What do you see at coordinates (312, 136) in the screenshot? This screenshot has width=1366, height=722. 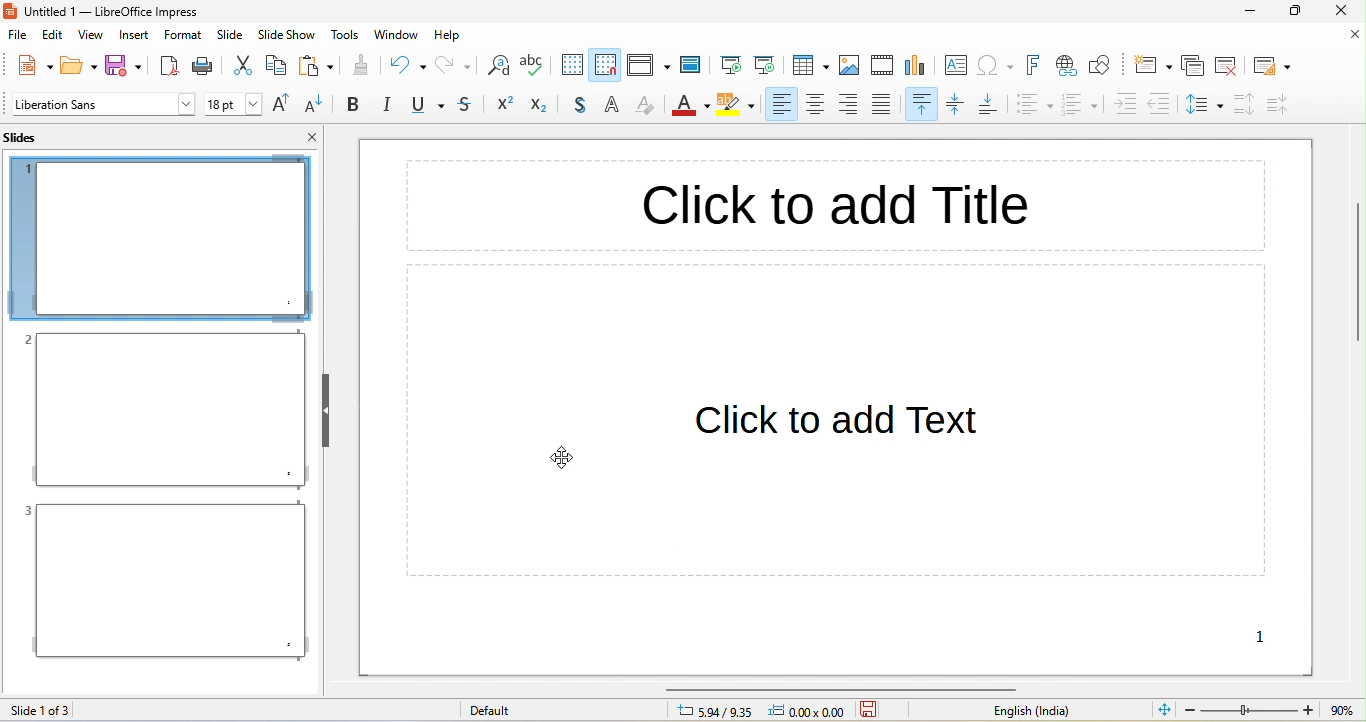 I see `close` at bounding box center [312, 136].